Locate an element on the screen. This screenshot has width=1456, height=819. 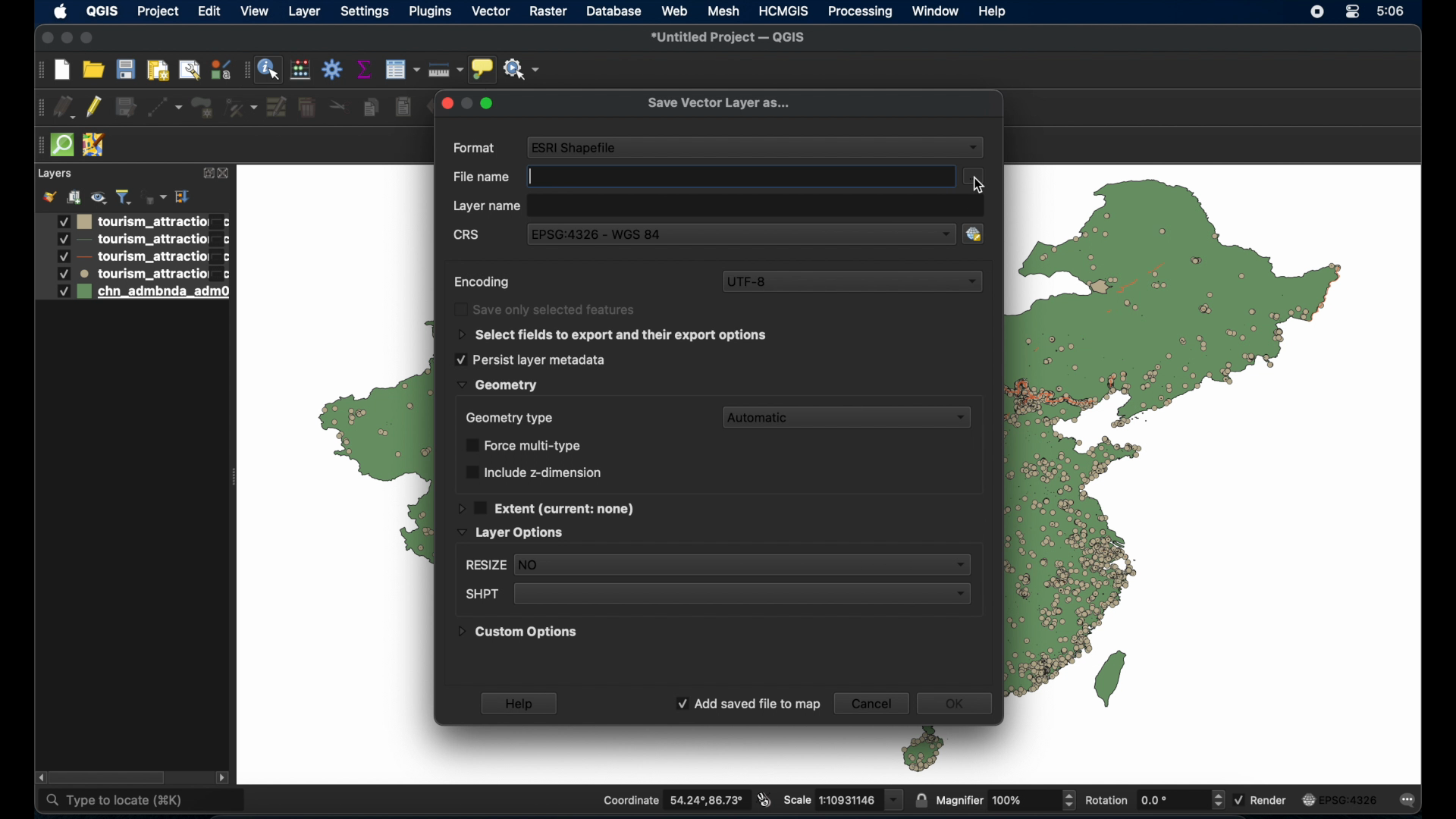
scroll left arrow is located at coordinates (42, 778).